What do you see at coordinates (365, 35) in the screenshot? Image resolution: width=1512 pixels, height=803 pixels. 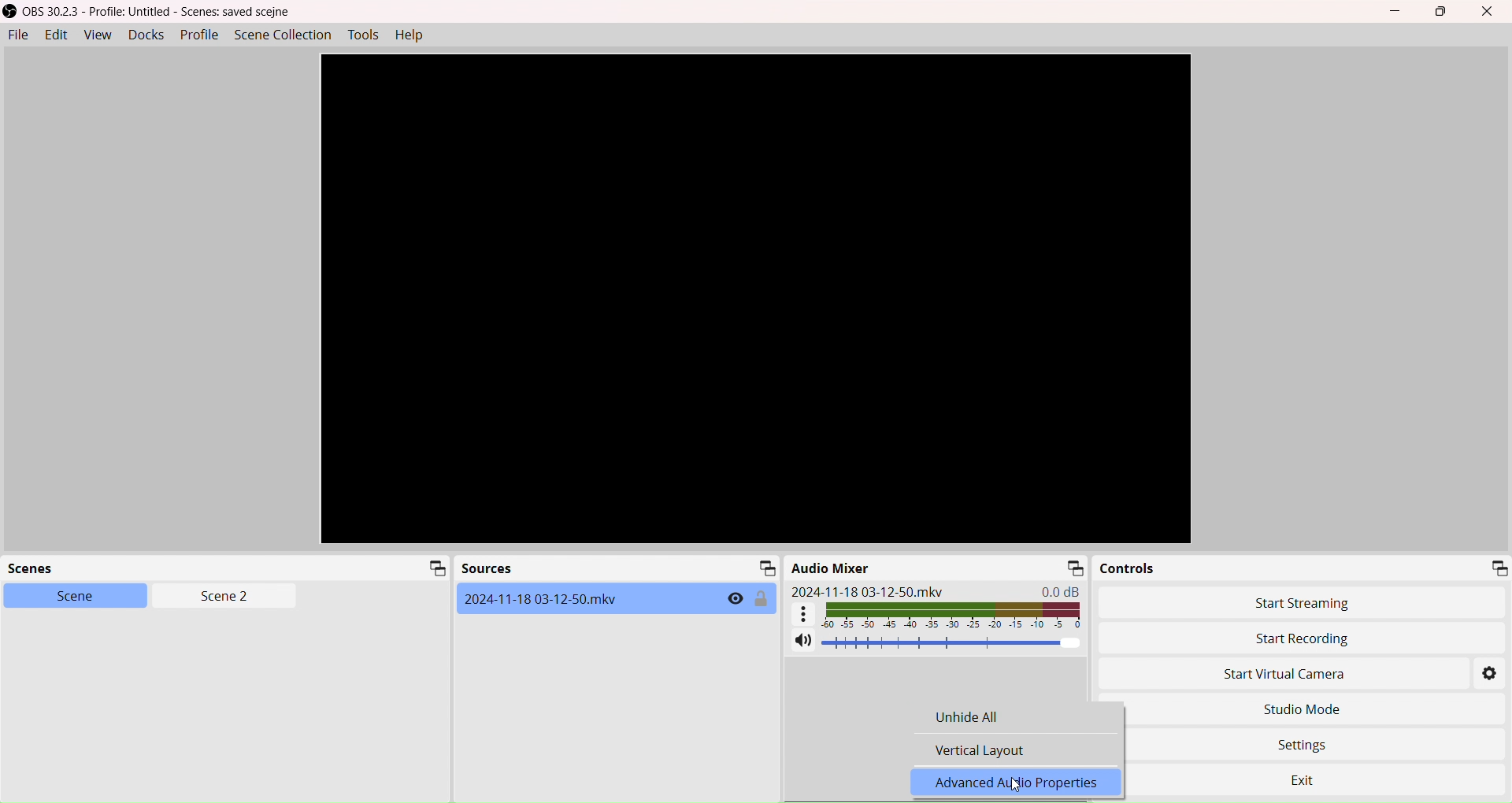 I see `Tools` at bounding box center [365, 35].